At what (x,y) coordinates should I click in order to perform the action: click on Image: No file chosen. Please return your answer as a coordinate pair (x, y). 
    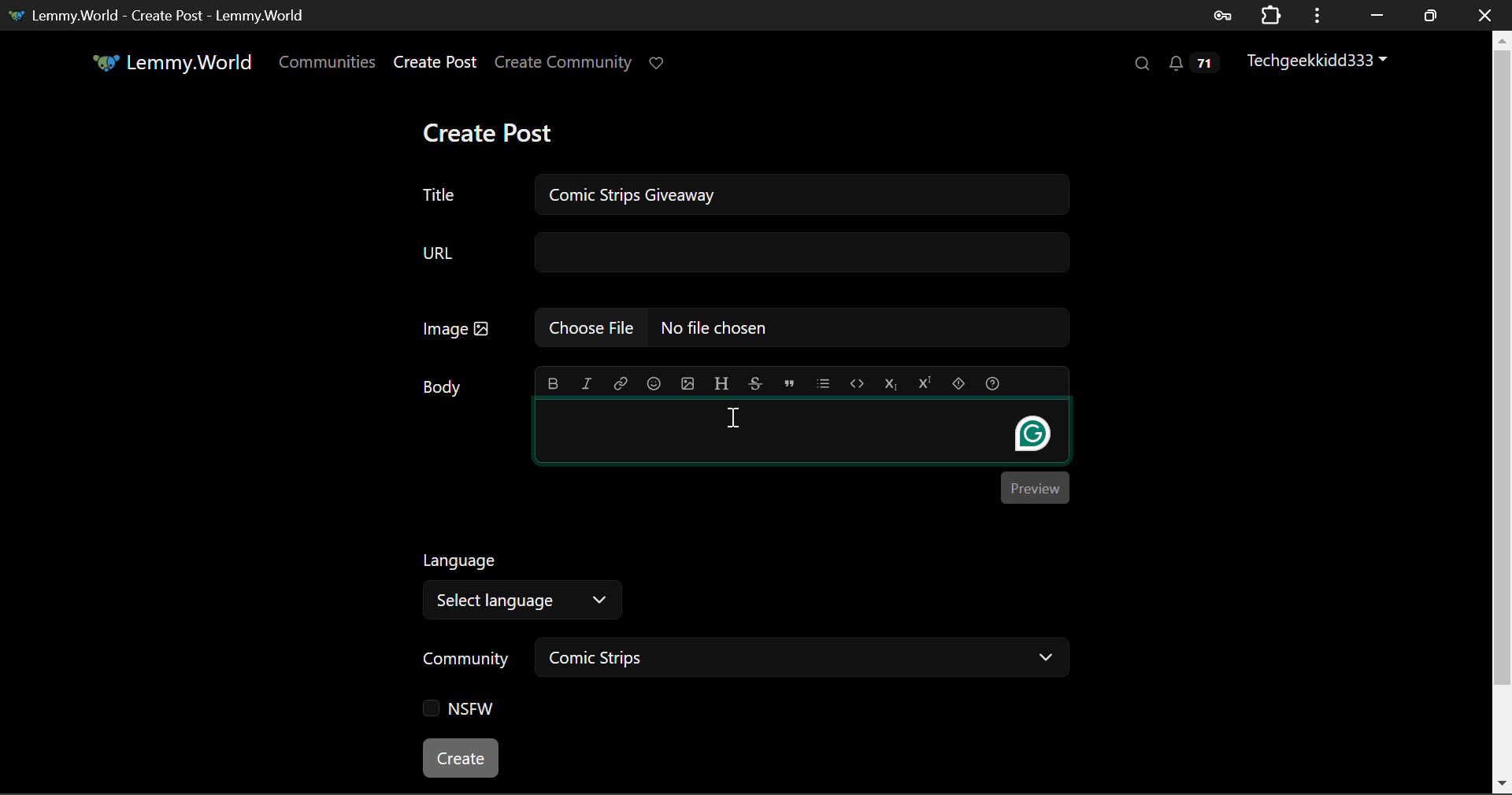
    Looking at the image, I should click on (743, 325).